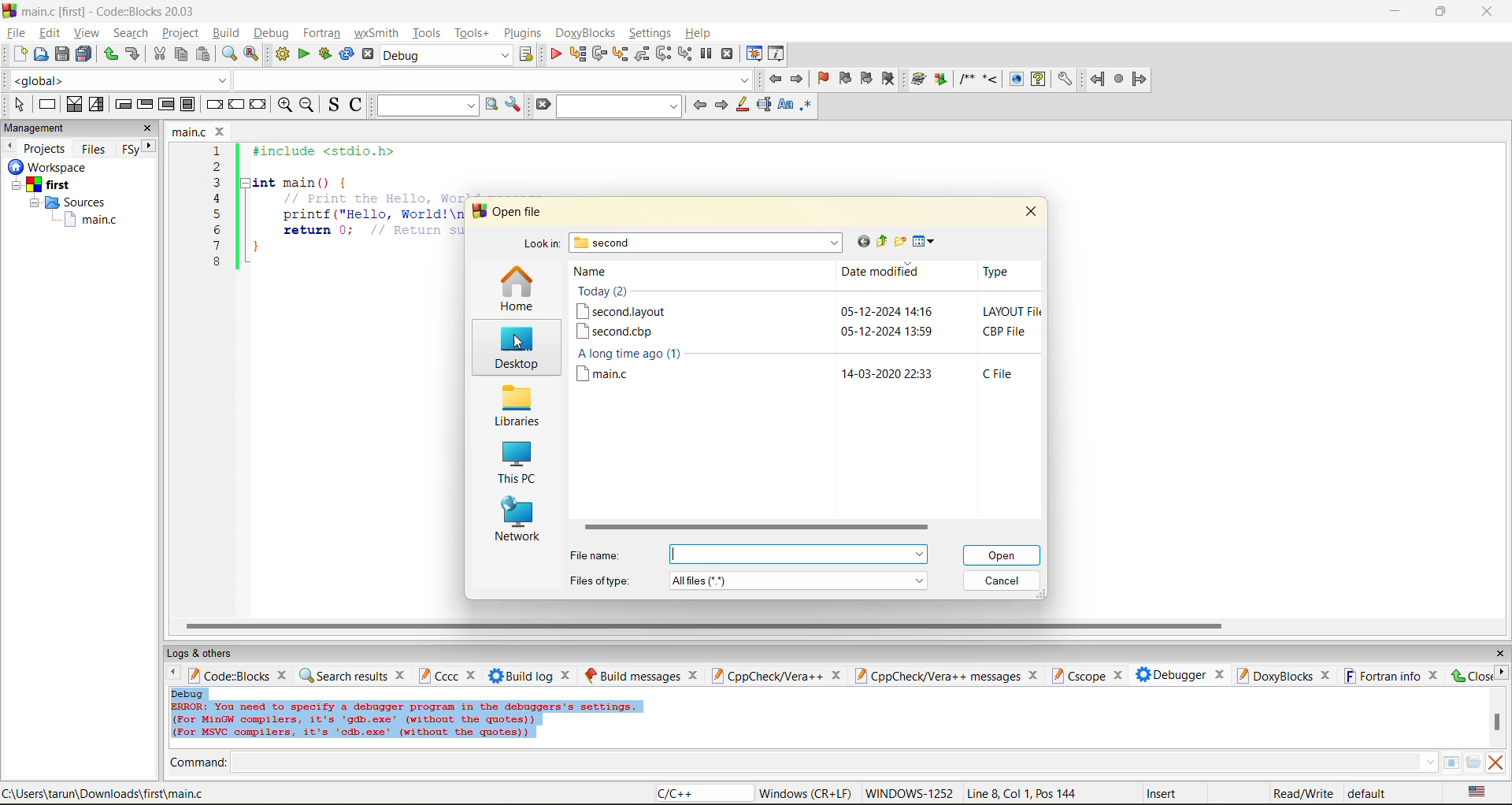 Image resolution: width=1512 pixels, height=805 pixels. I want to click on close, so click(402, 674).